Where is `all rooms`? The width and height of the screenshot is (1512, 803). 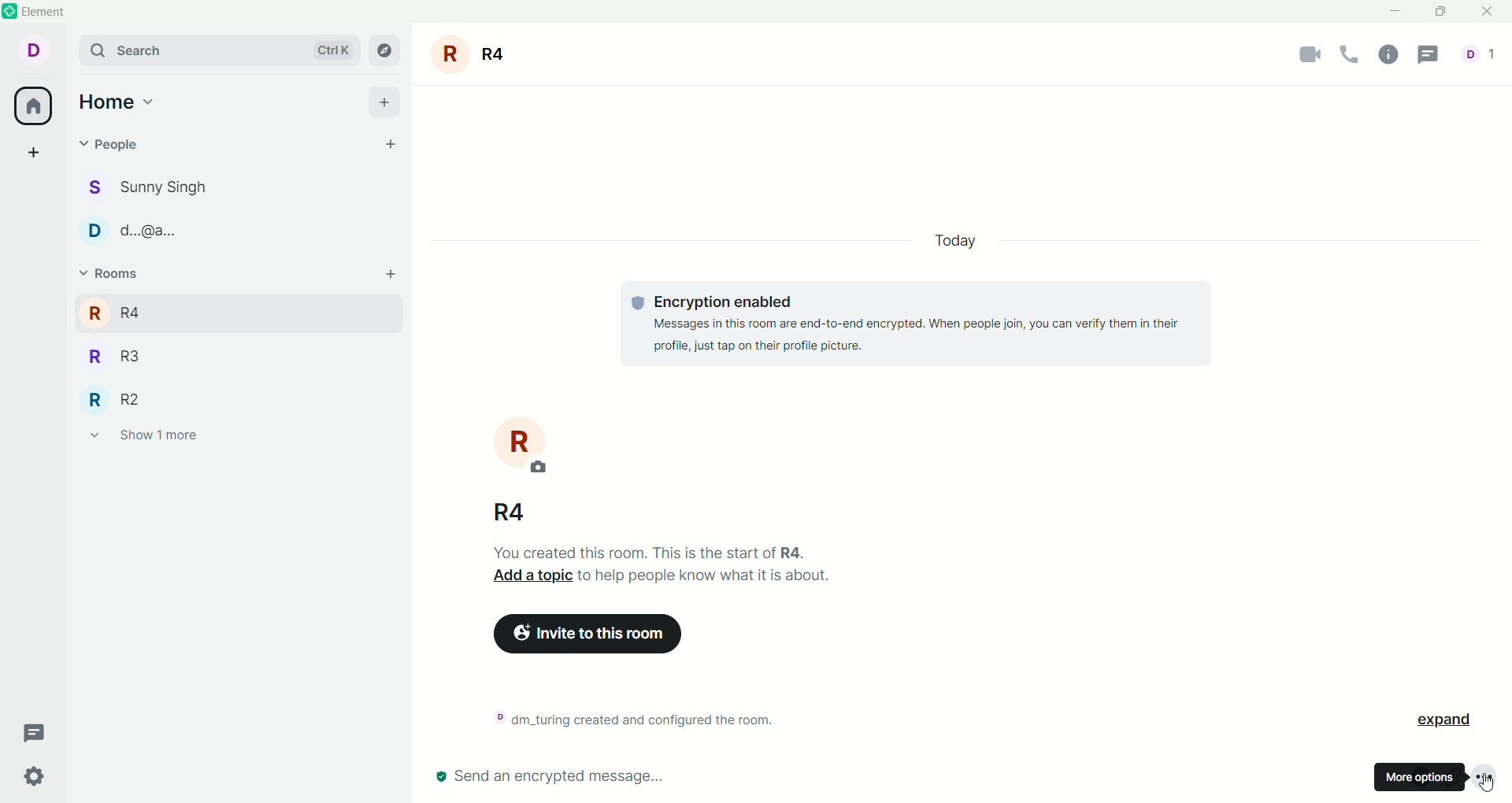
all rooms is located at coordinates (34, 108).